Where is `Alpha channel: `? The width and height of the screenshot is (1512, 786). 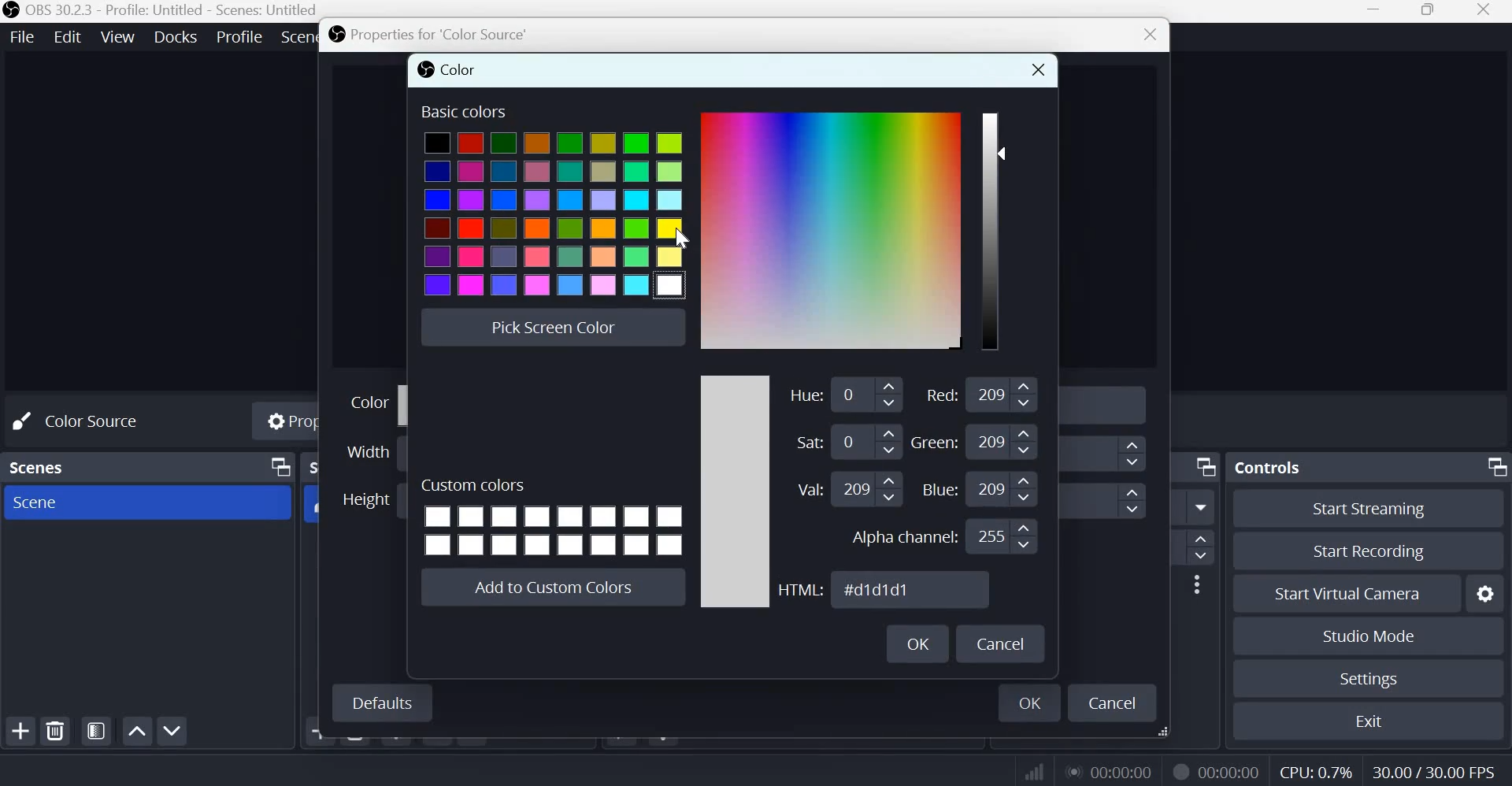
Alpha channel:  is located at coordinates (907, 536).